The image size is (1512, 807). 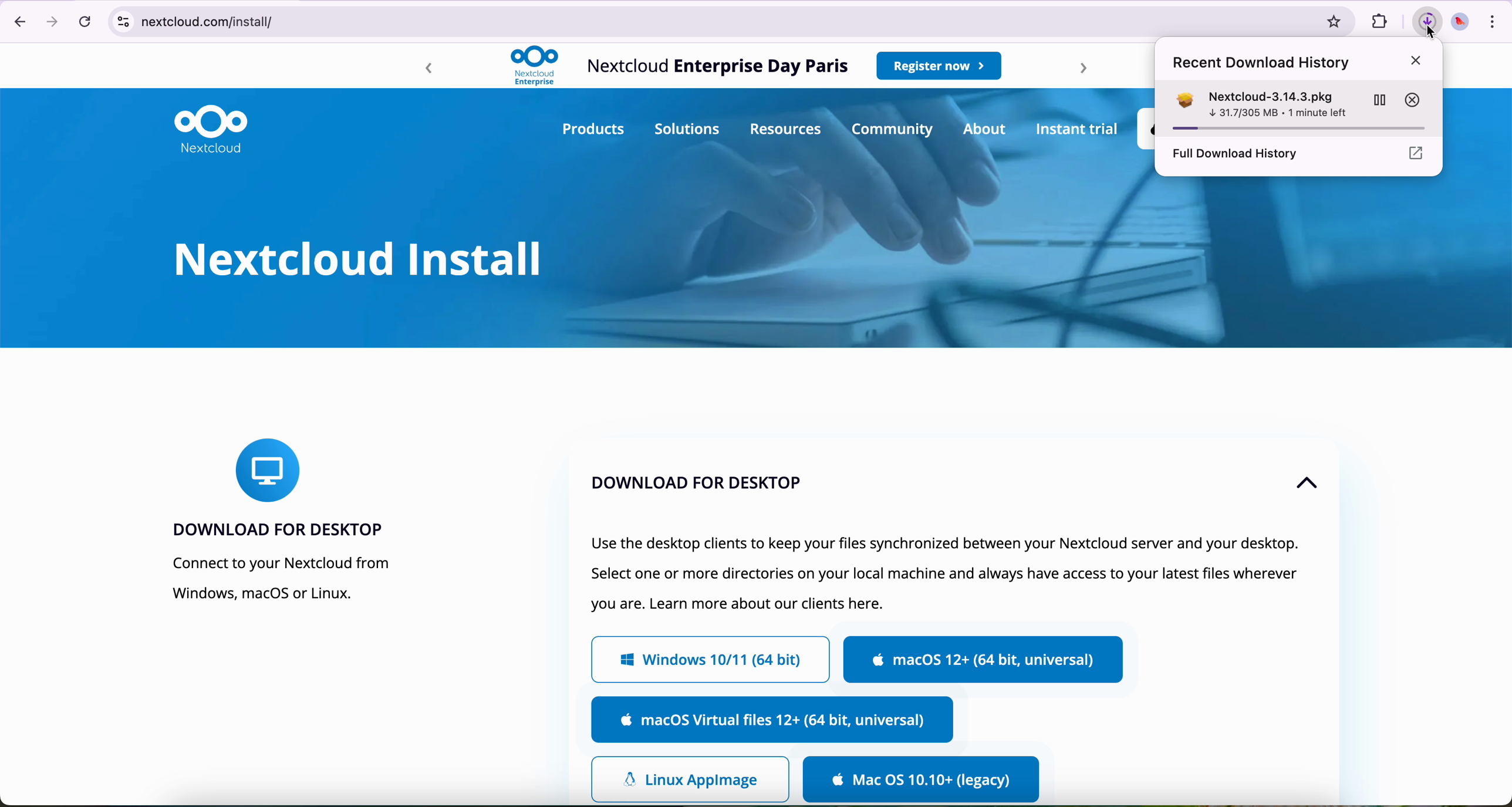 I want to click on cursor, so click(x=1443, y=36).